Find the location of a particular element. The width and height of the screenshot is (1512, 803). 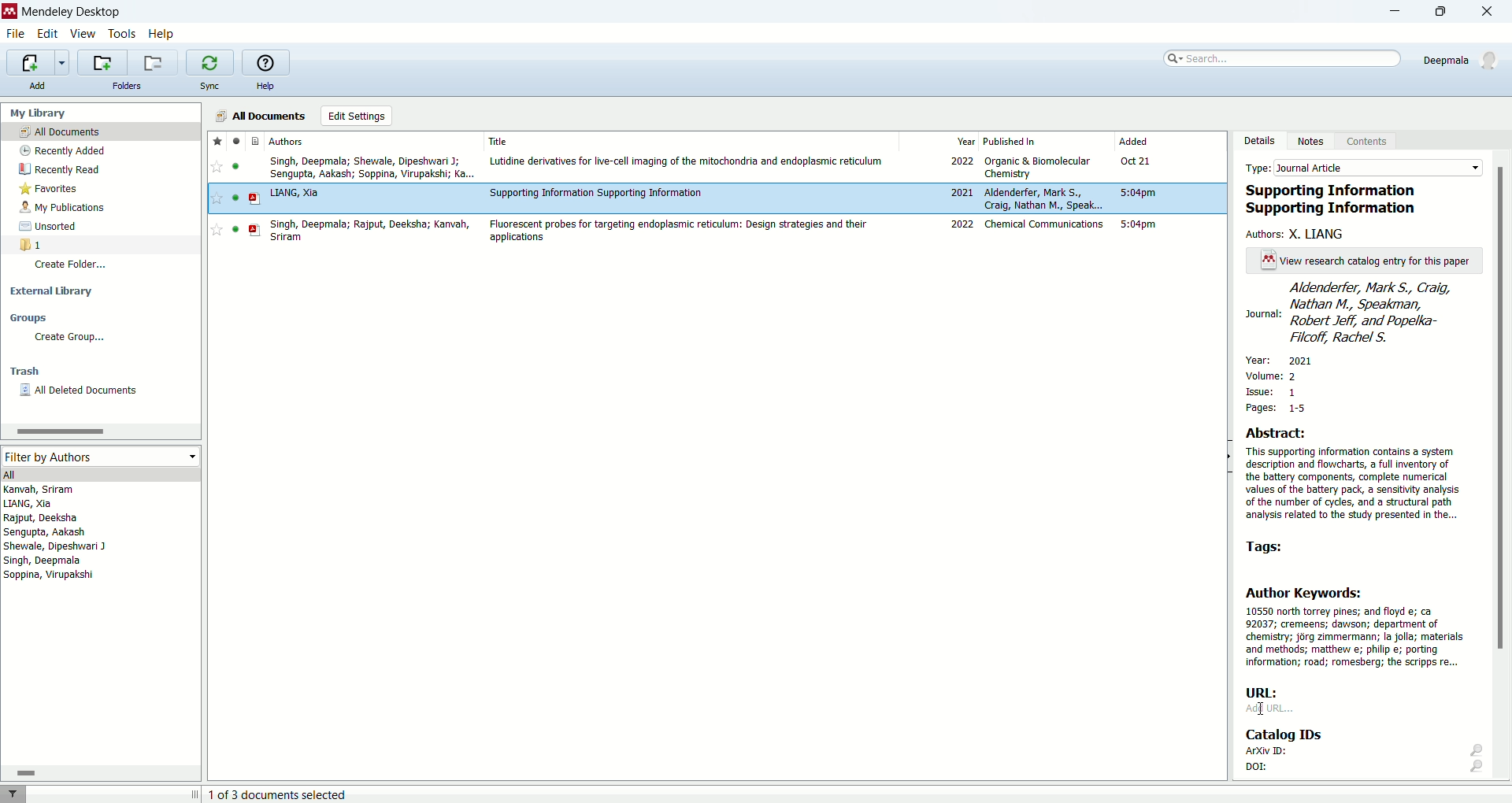

Supporting Information Supporting Information is located at coordinates (597, 192).